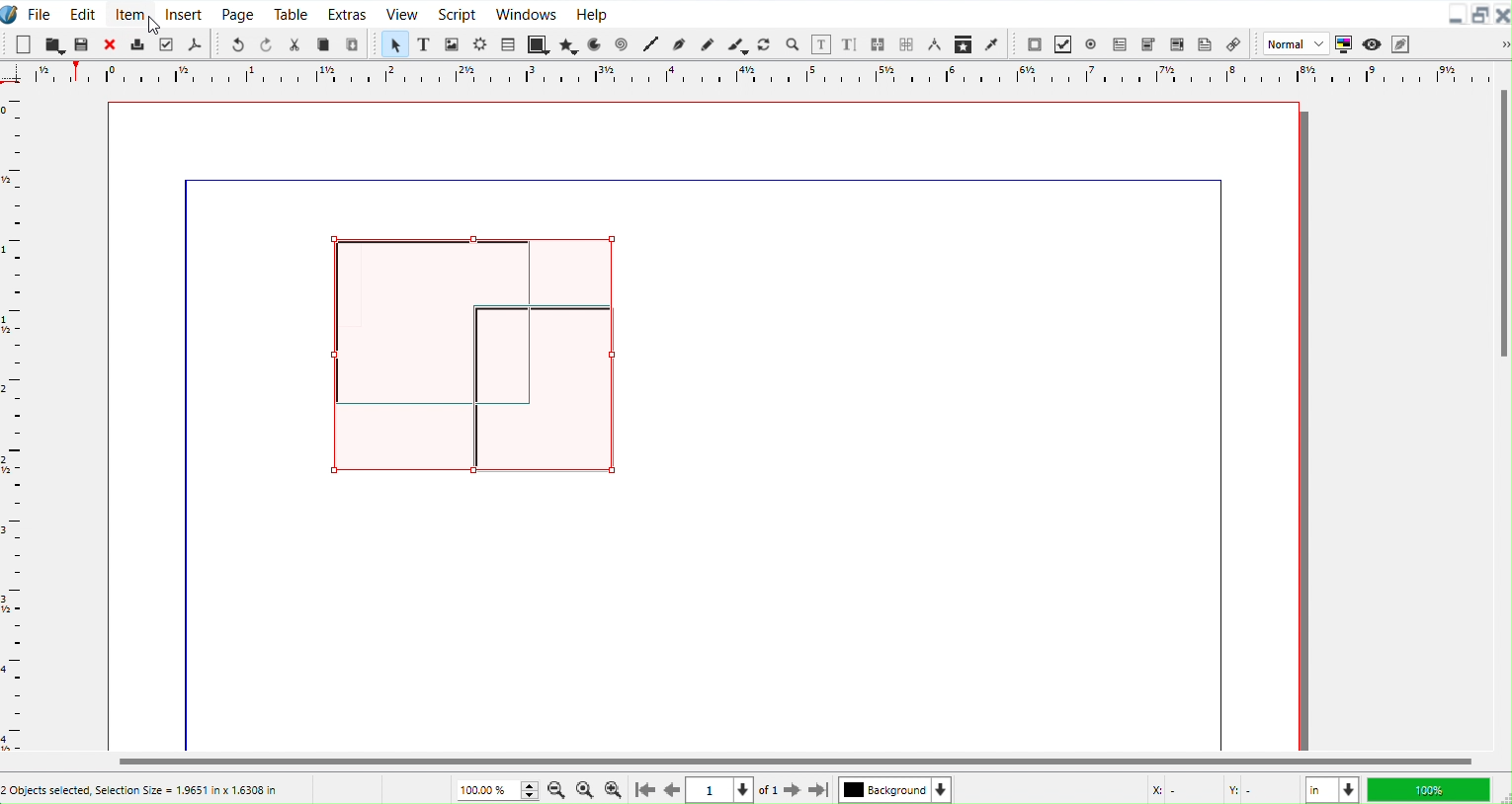  I want to click on Zoom In, so click(615, 790).